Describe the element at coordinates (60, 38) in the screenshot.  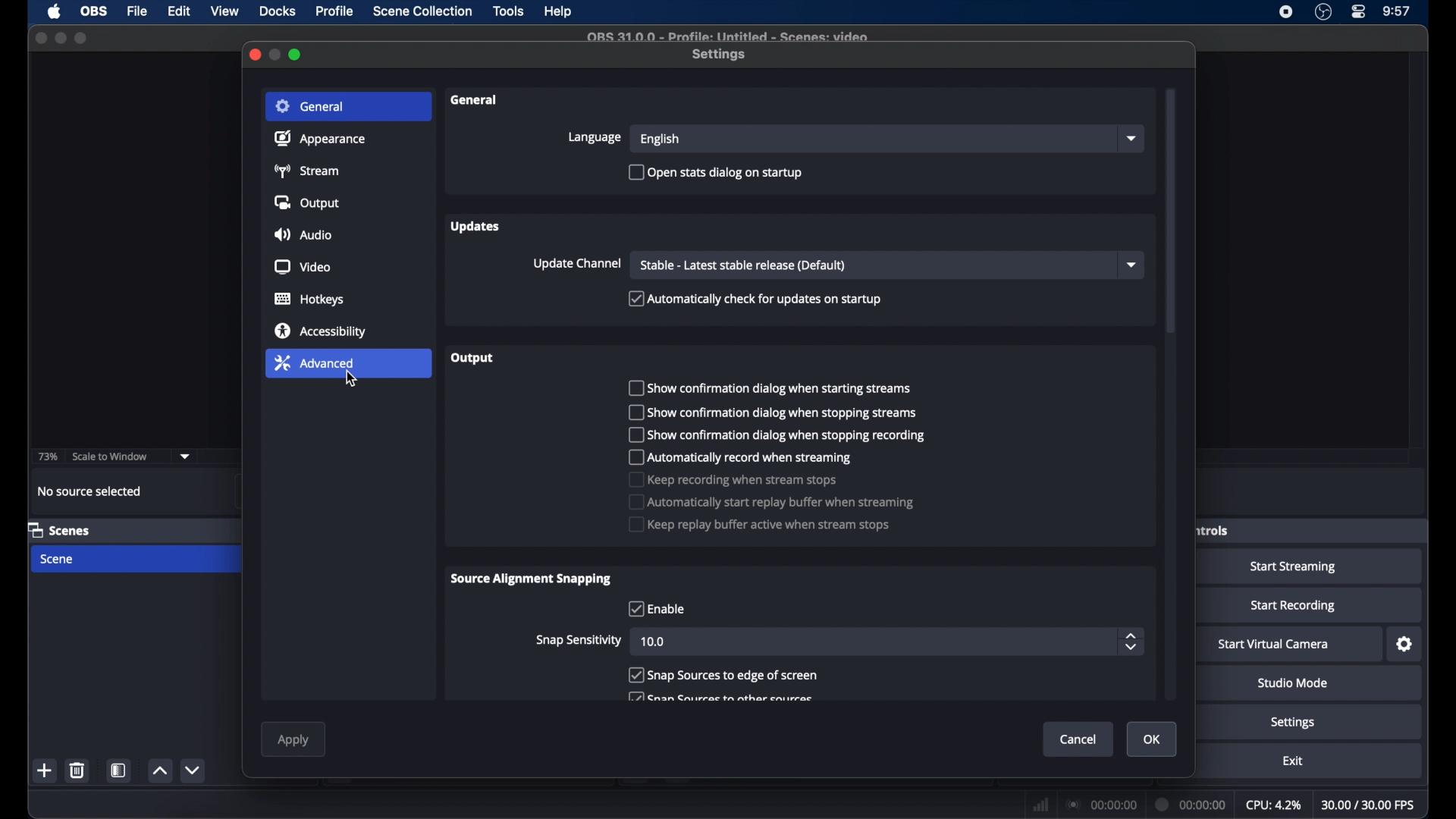
I see `maximize` at that location.